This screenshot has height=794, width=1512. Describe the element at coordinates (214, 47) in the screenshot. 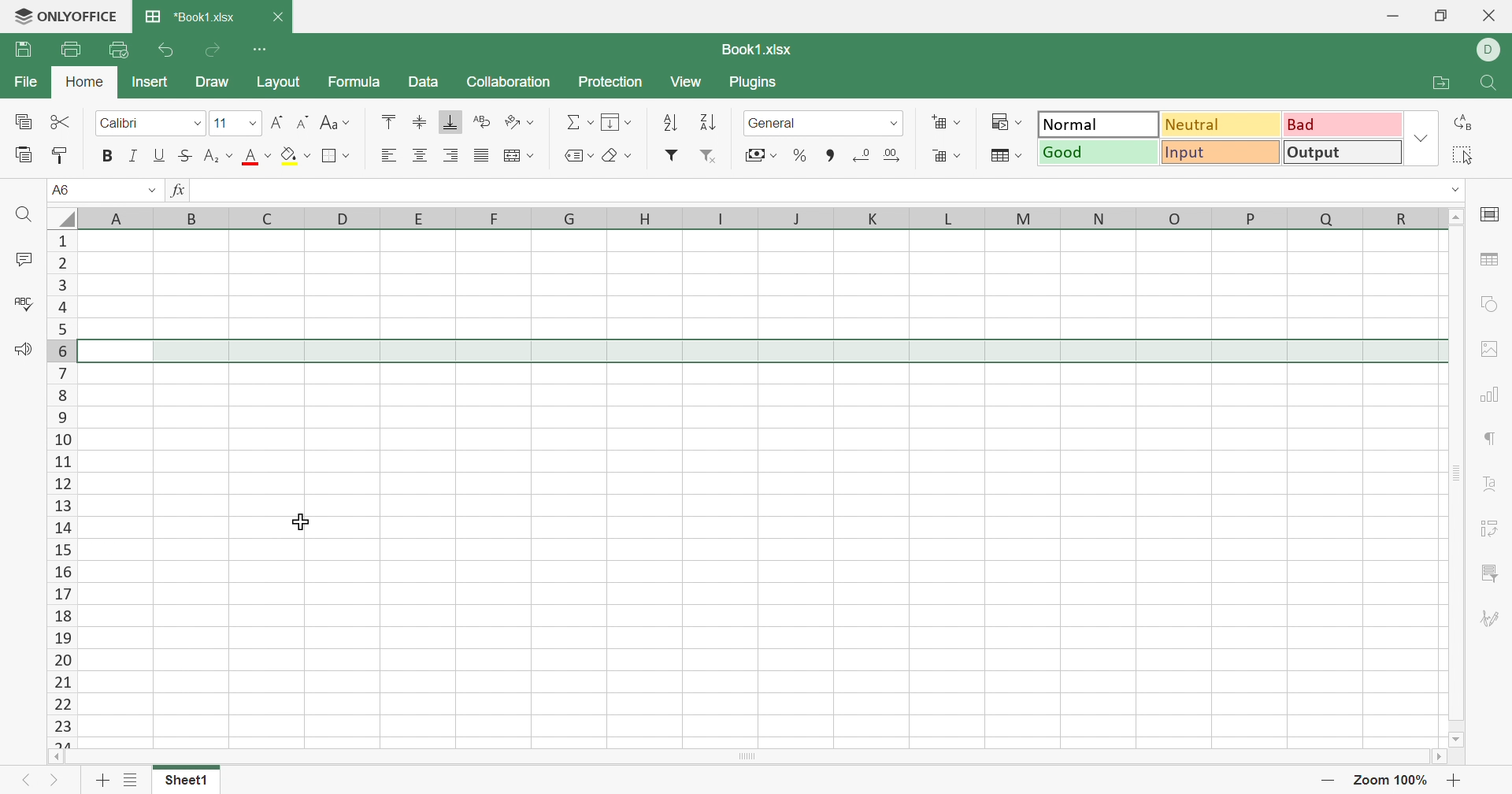

I see `Redo` at that location.